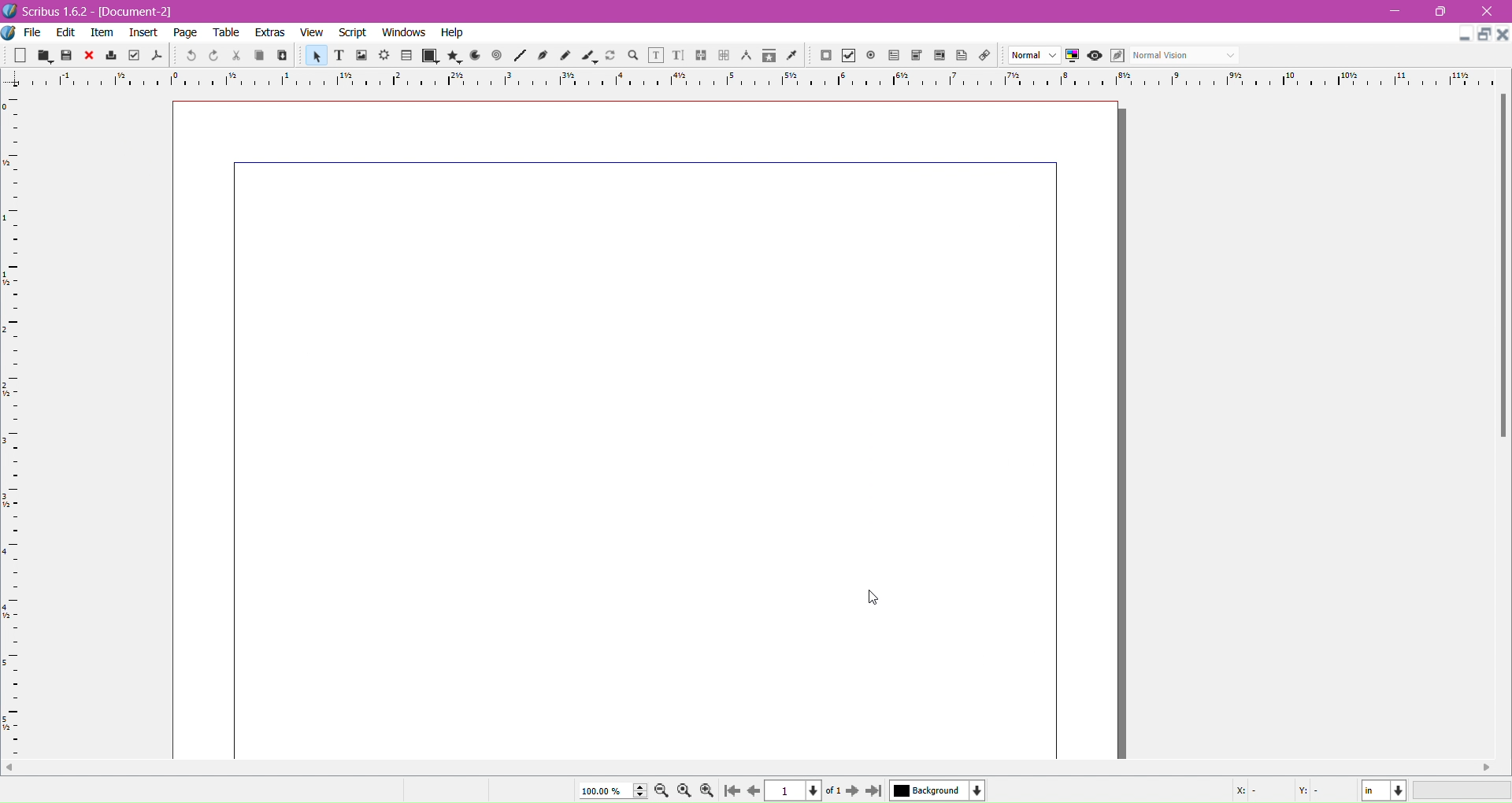  I want to click on icon, so click(914, 55).